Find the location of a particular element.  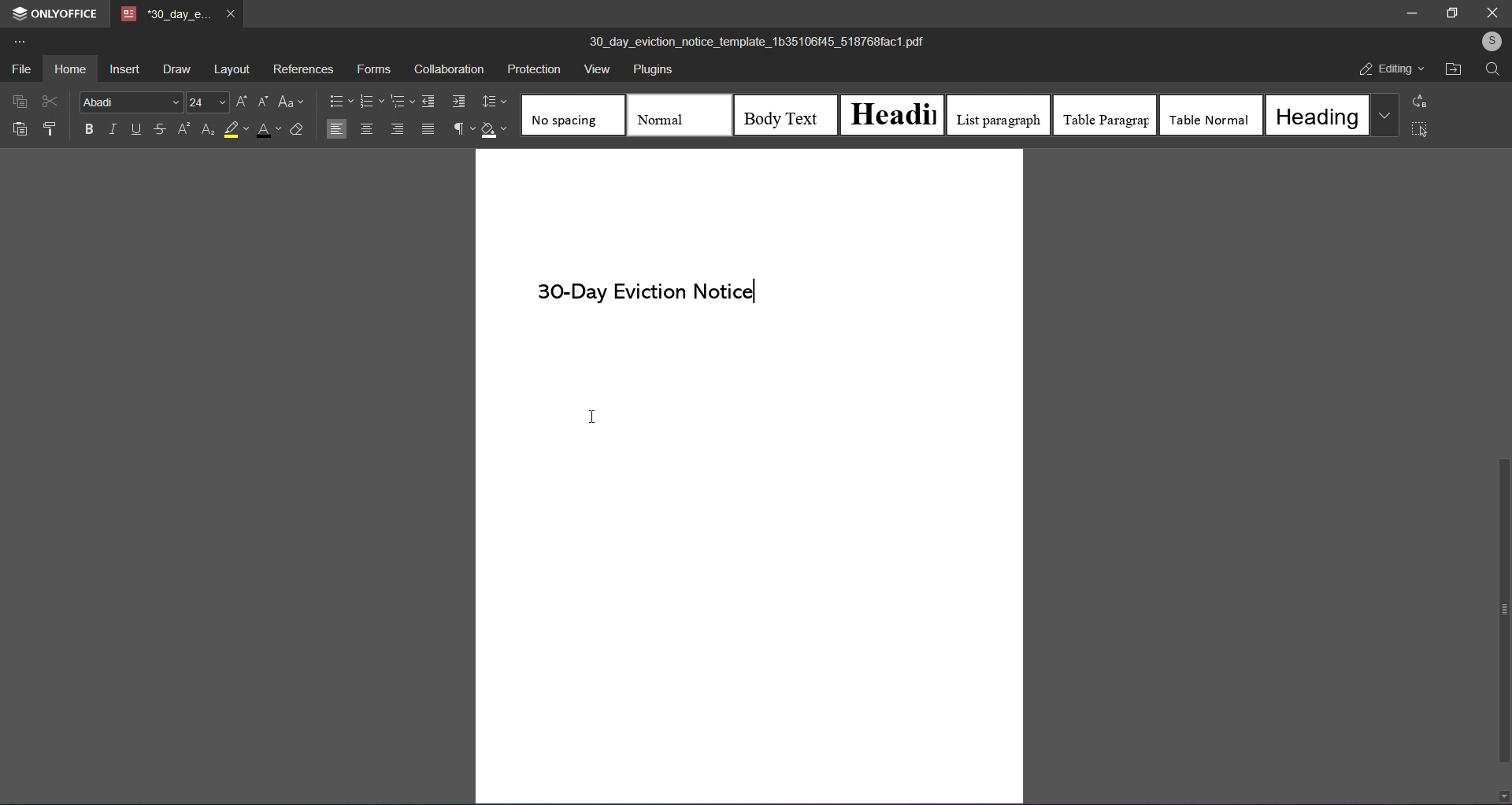

left align is located at coordinates (338, 129).